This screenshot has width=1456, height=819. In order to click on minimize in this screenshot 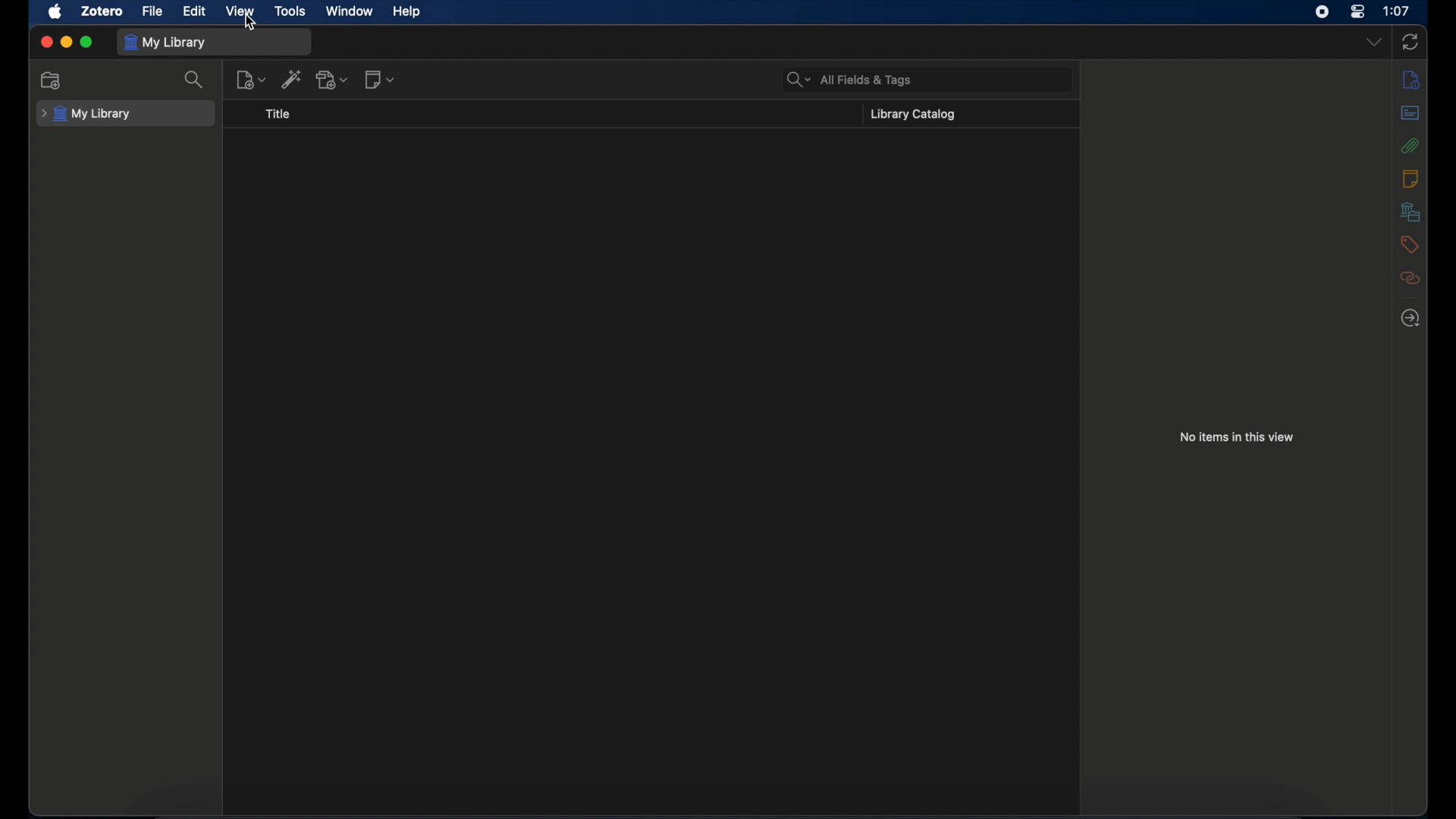, I will do `click(65, 42)`.